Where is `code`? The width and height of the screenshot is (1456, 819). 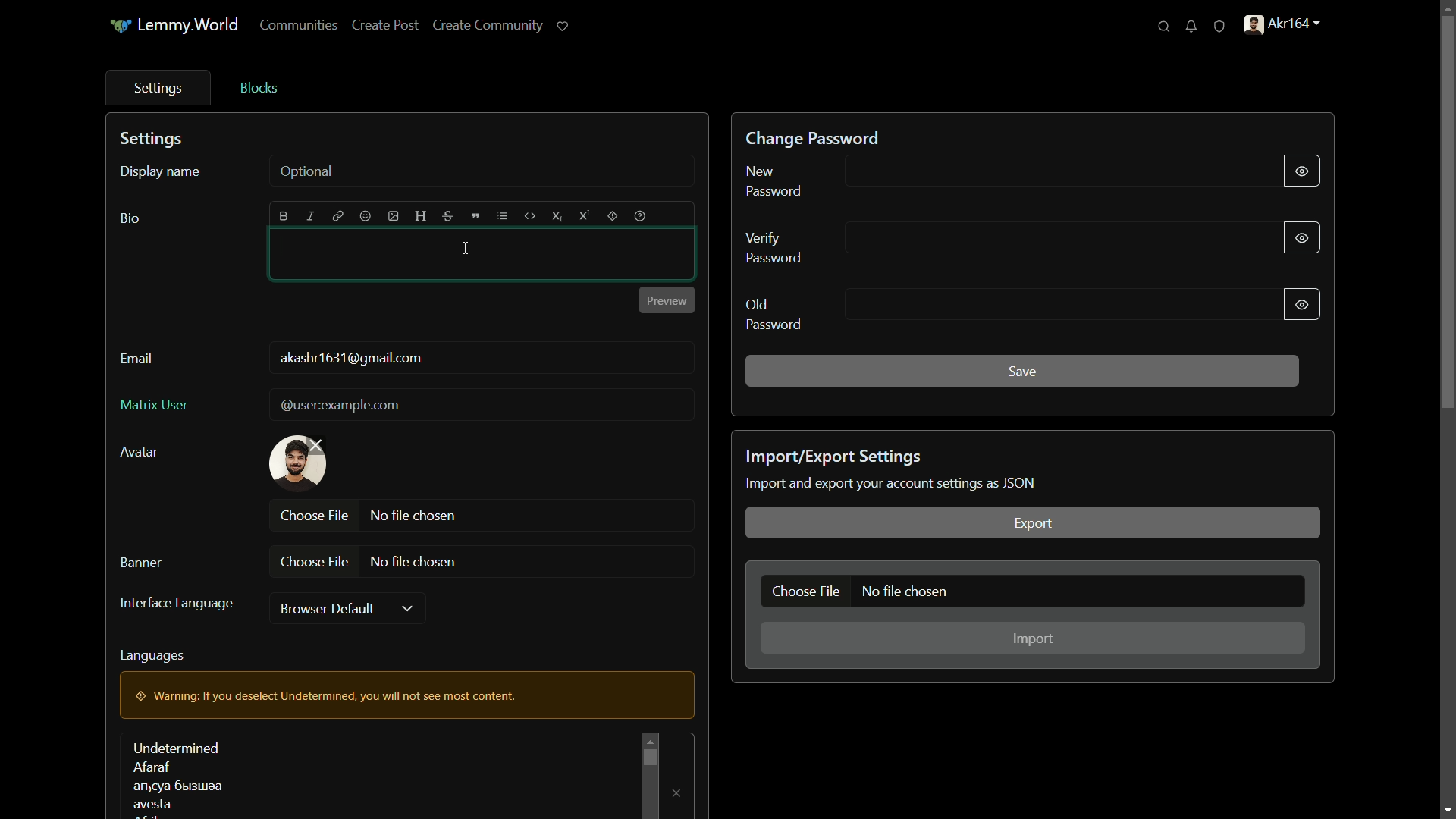 code is located at coordinates (529, 217).